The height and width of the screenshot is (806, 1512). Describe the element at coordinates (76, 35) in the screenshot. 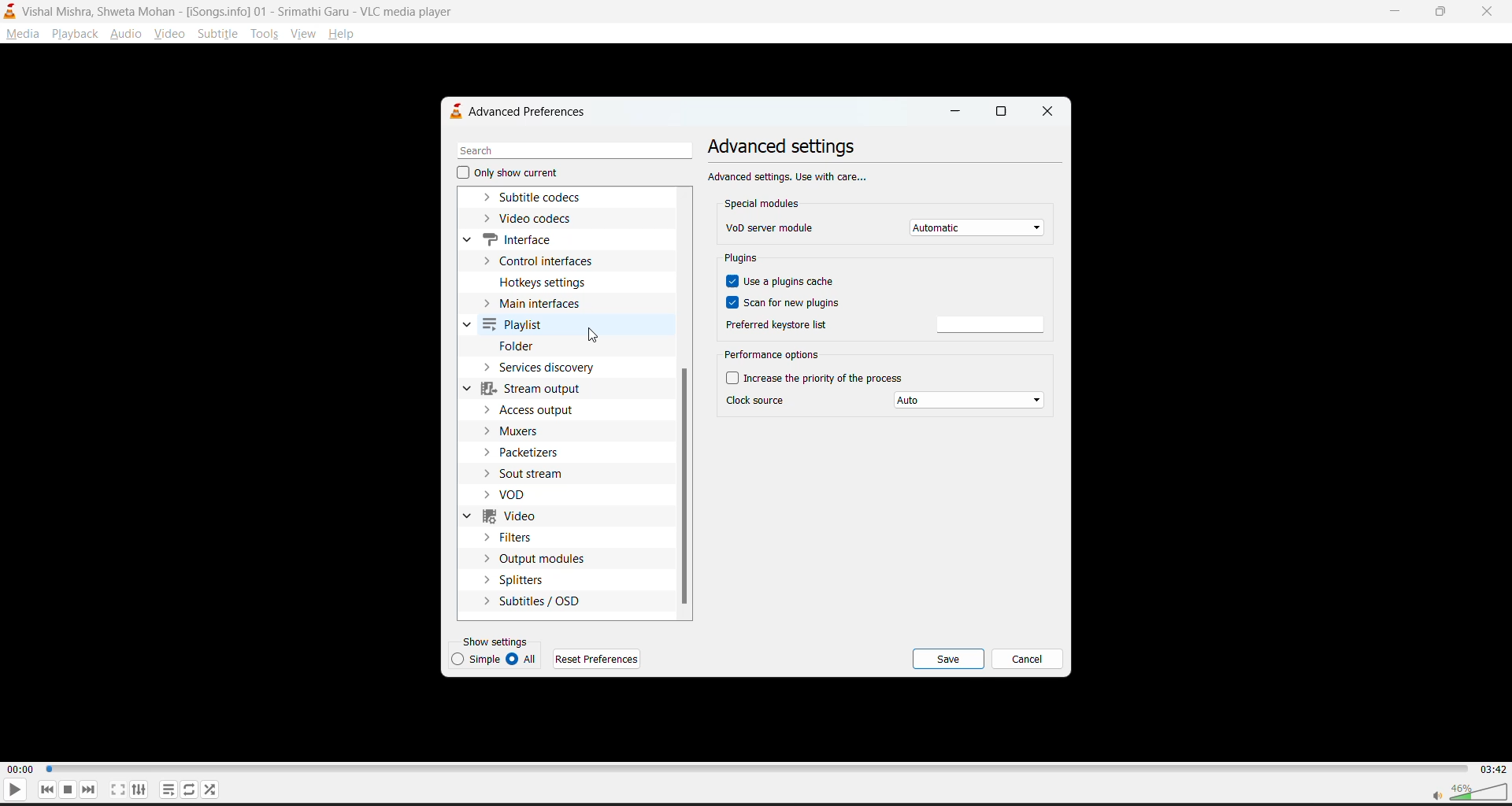

I see `playback` at that location.